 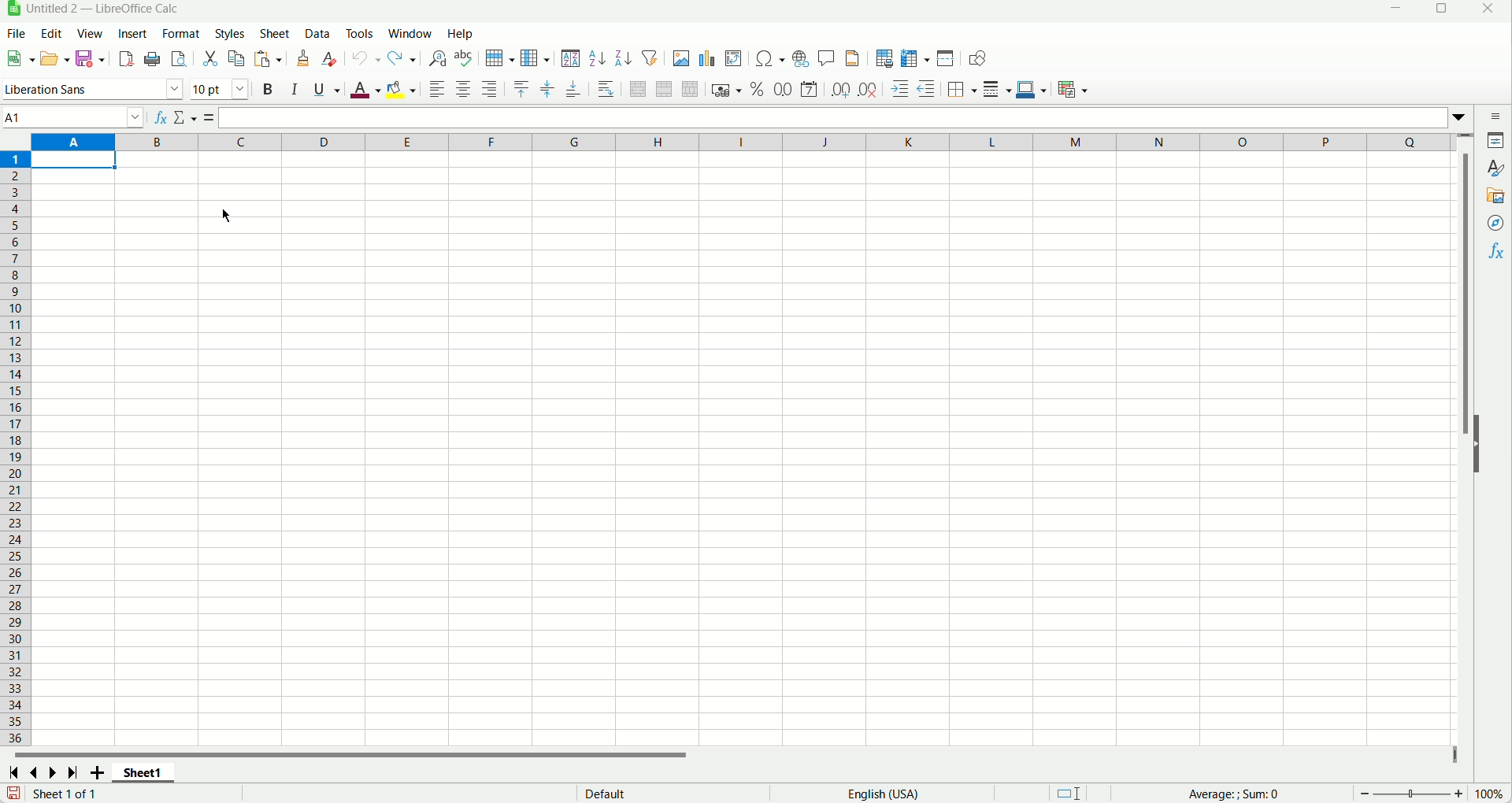 I want to click on Insert pivot table, so click(x=734, y=58).